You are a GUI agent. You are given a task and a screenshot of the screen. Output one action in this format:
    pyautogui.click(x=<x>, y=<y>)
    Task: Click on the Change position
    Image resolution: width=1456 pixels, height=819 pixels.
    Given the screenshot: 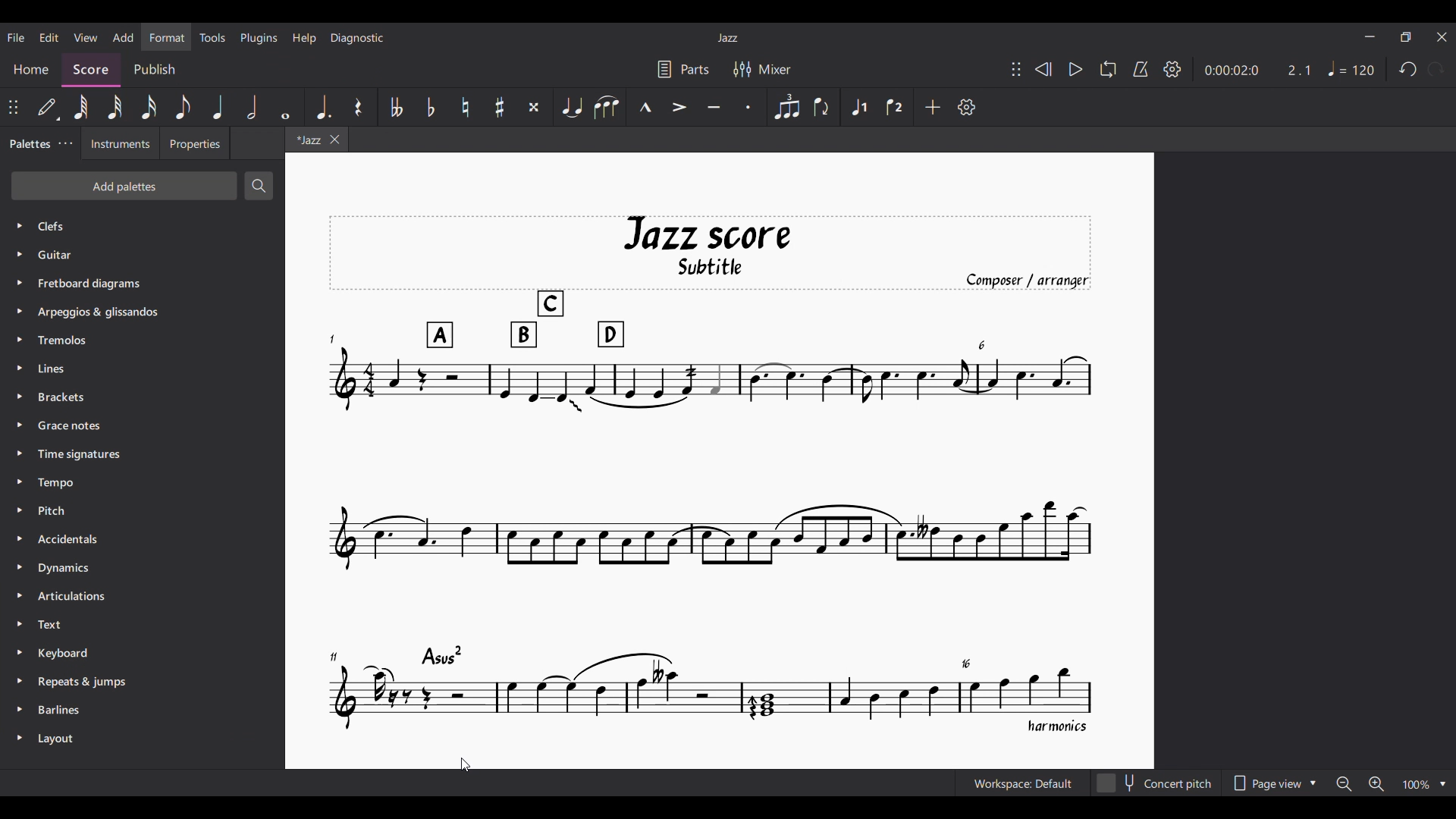 What is the action you would take?
    pyautogui.click(x=1016, y=69)
    